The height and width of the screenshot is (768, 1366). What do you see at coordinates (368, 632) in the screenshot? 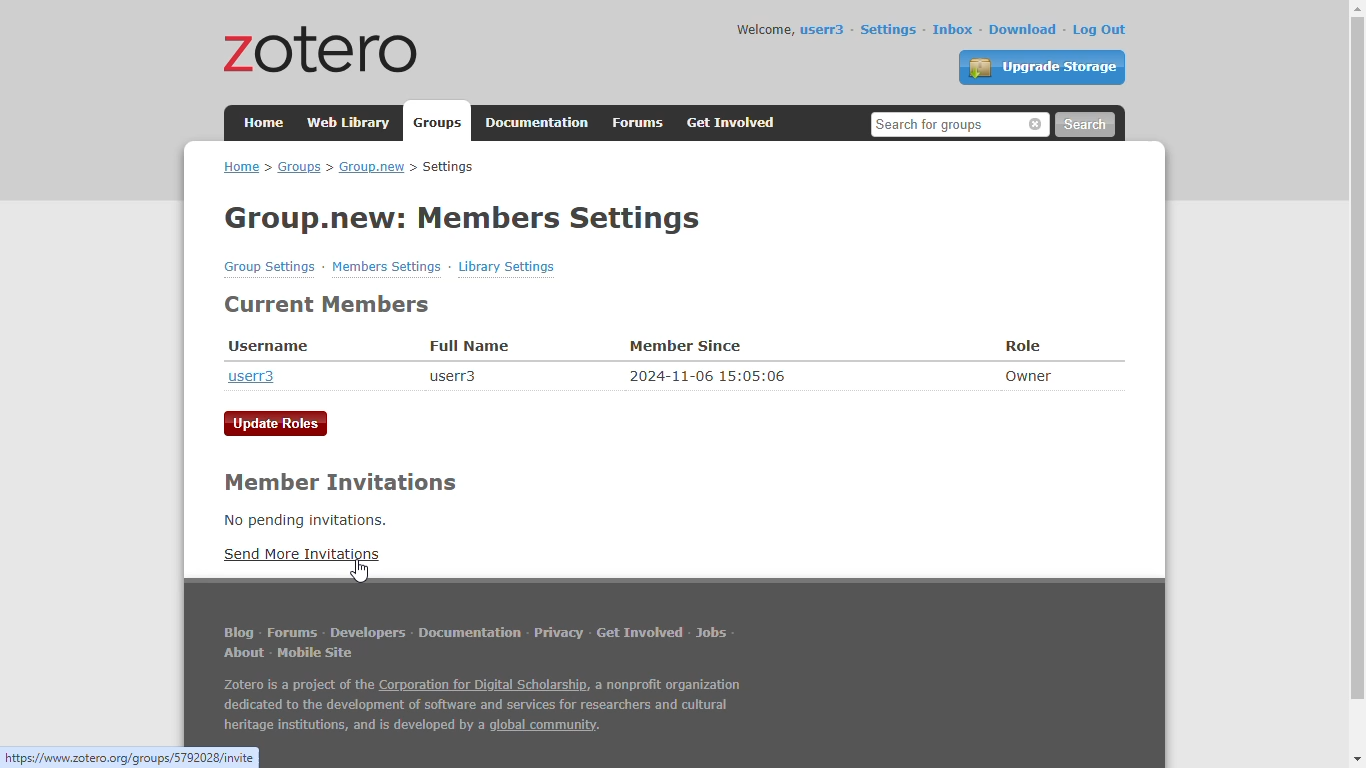
I see `developers` at bounding box center [368, 632].